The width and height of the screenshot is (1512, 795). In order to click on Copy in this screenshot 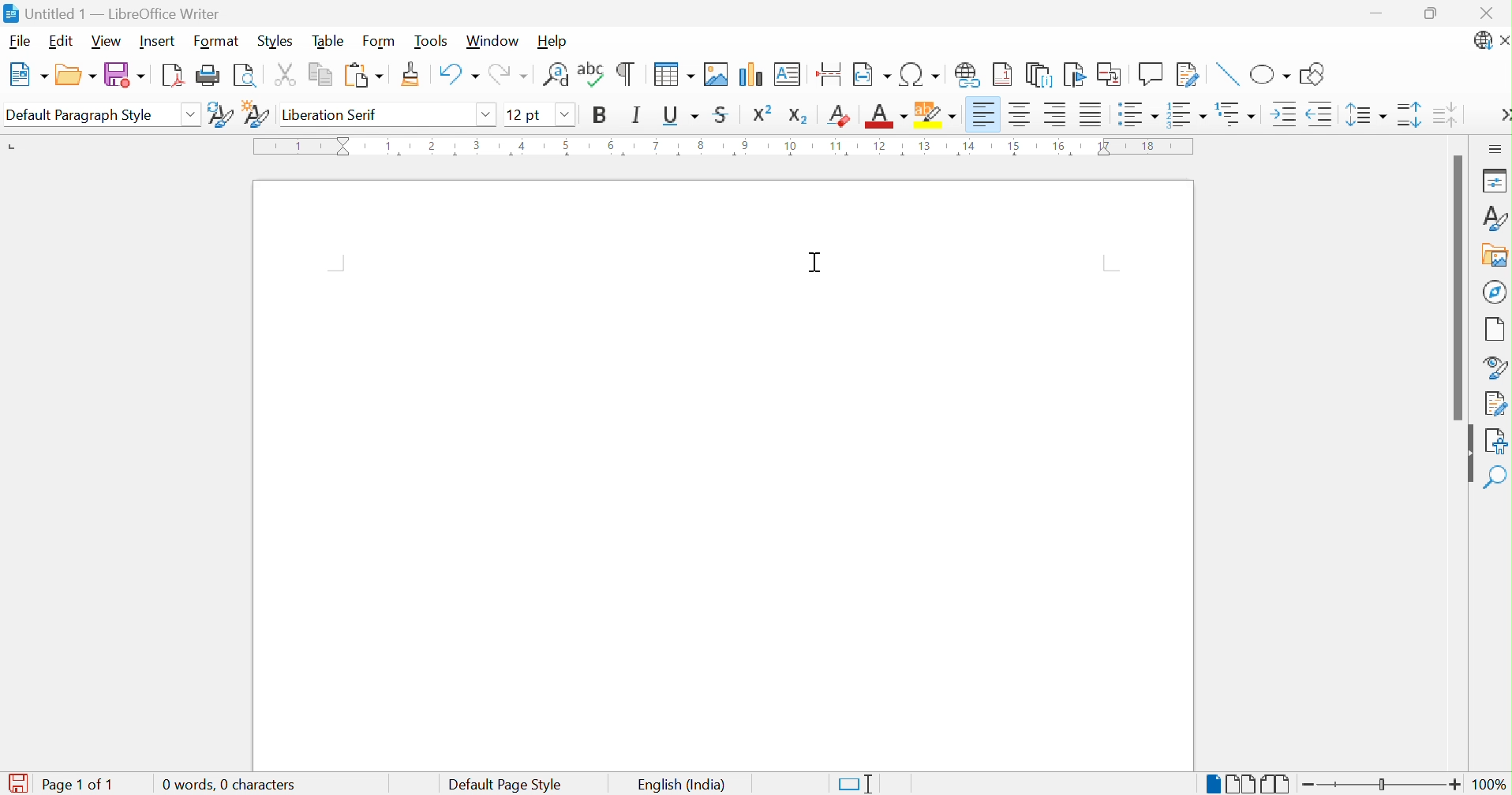, I will do `click(320, 73)`.